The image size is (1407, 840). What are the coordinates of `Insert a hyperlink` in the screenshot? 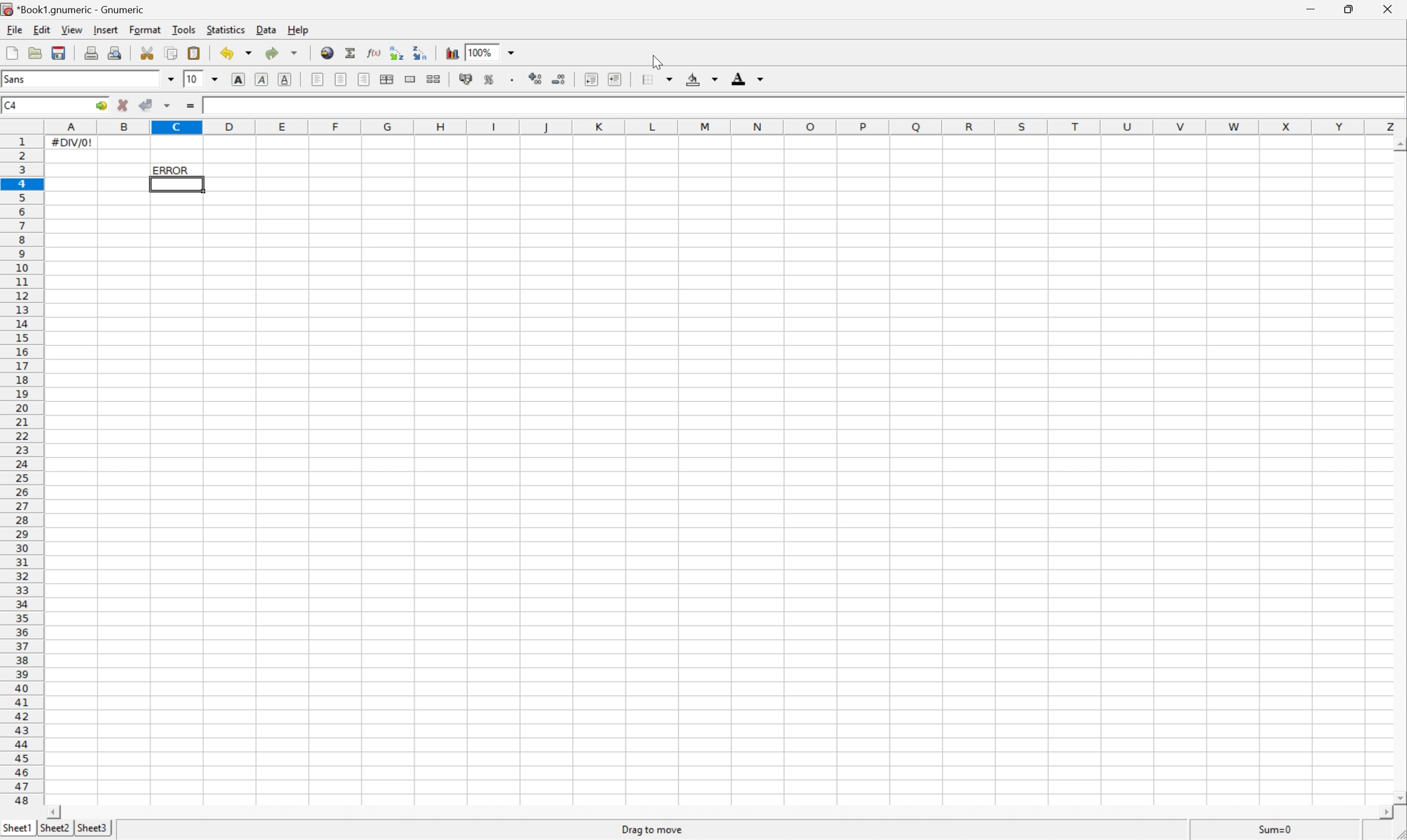 It's located at (327, 53).